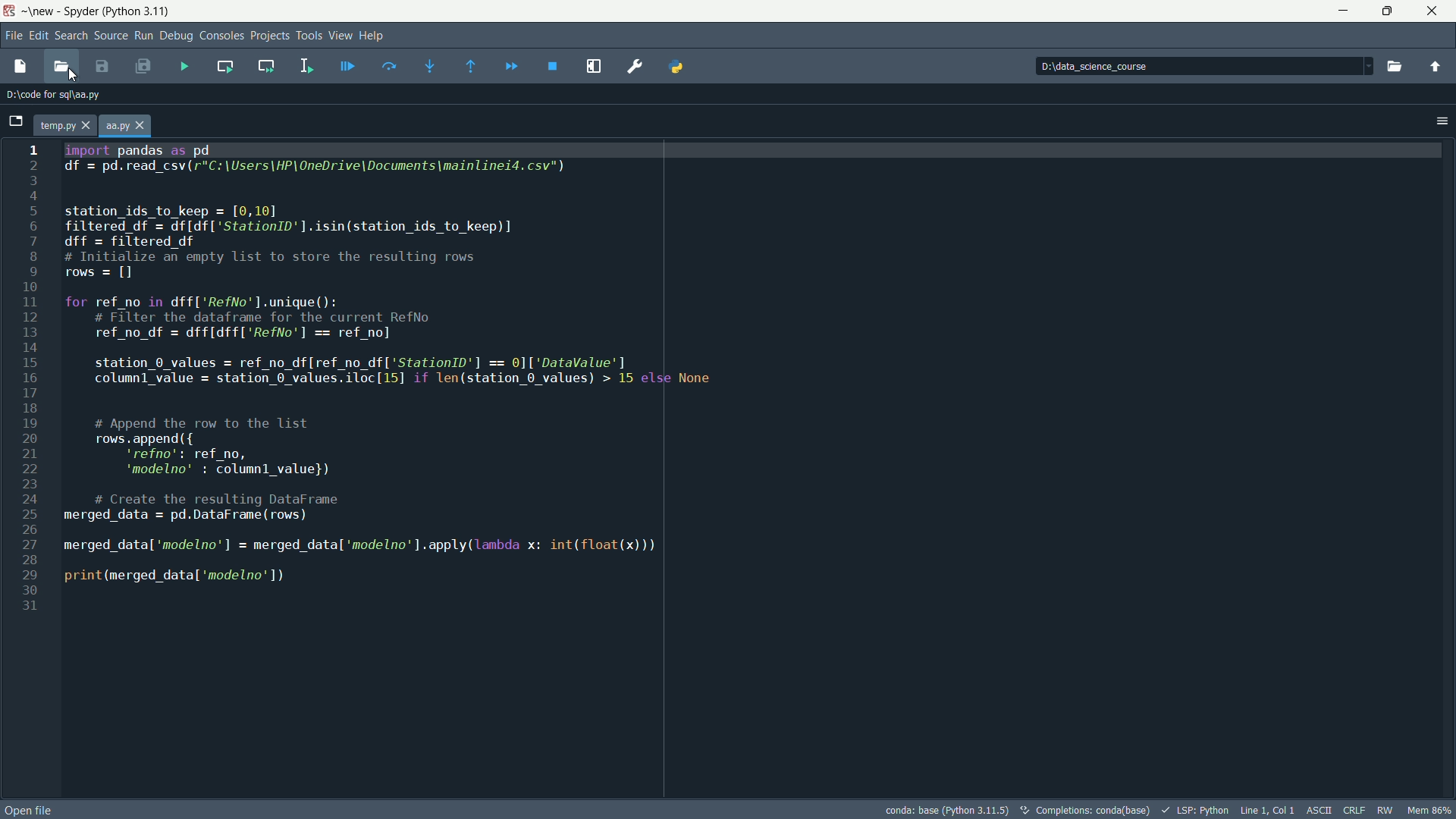  What do you see at coordinates (340, 34) in the screenshot?
I see `View menu` at bounding box center [340, 34].